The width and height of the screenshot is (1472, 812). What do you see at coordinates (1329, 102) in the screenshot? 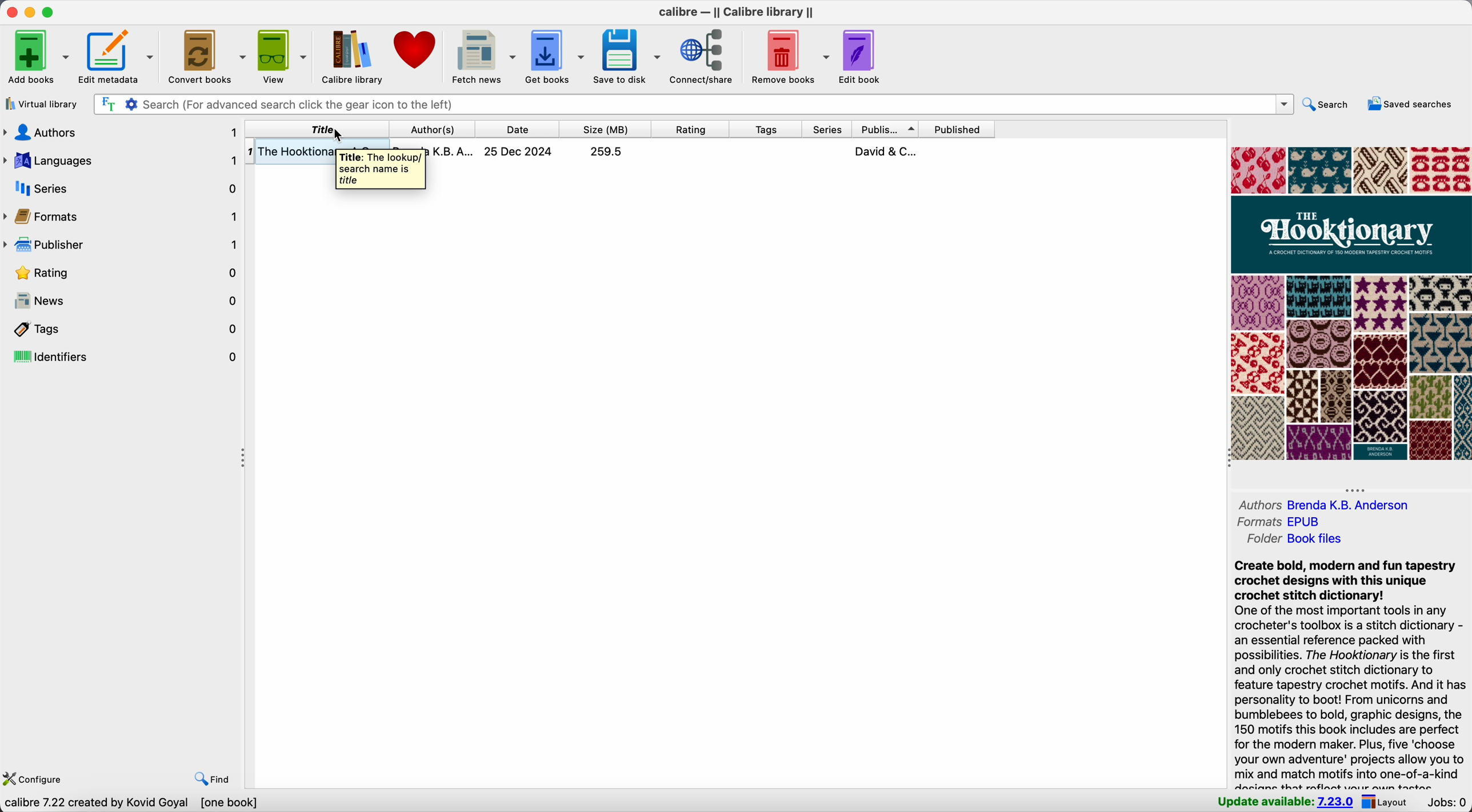
I see `search` at bounding box center [1329, 102].